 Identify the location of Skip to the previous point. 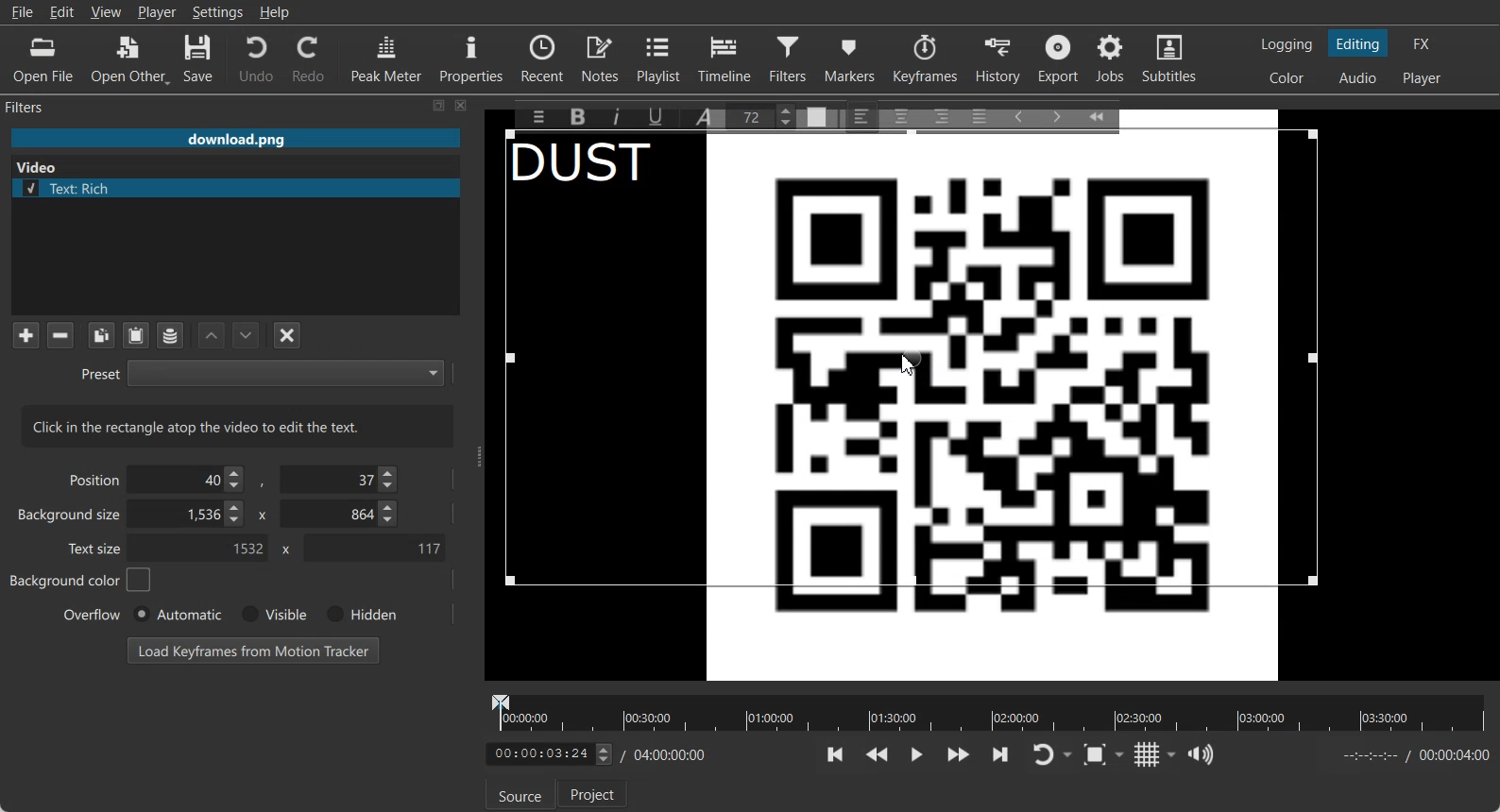
(836, 753).